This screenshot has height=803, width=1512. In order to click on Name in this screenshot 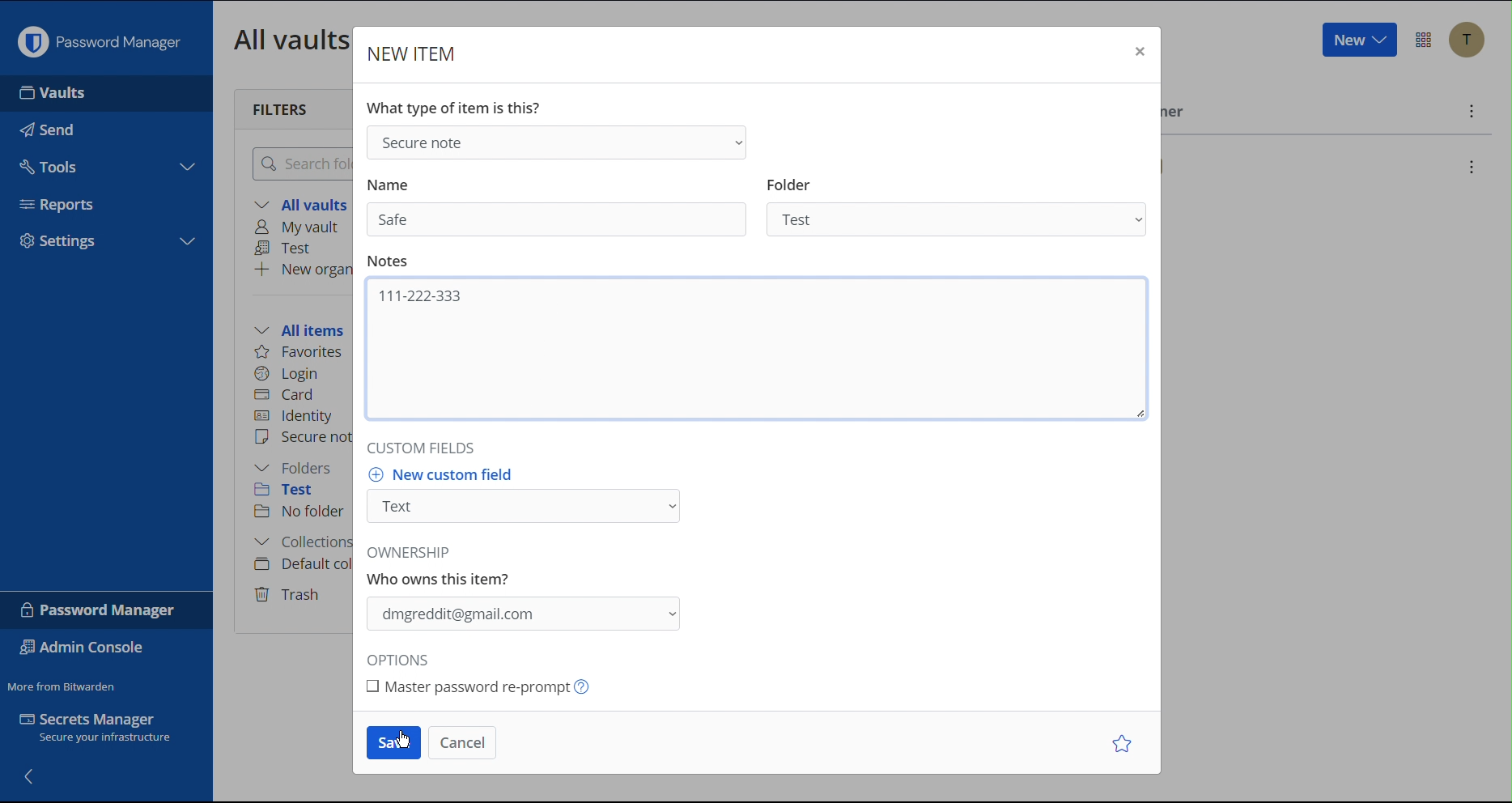, I will do `click(388, 185)`.